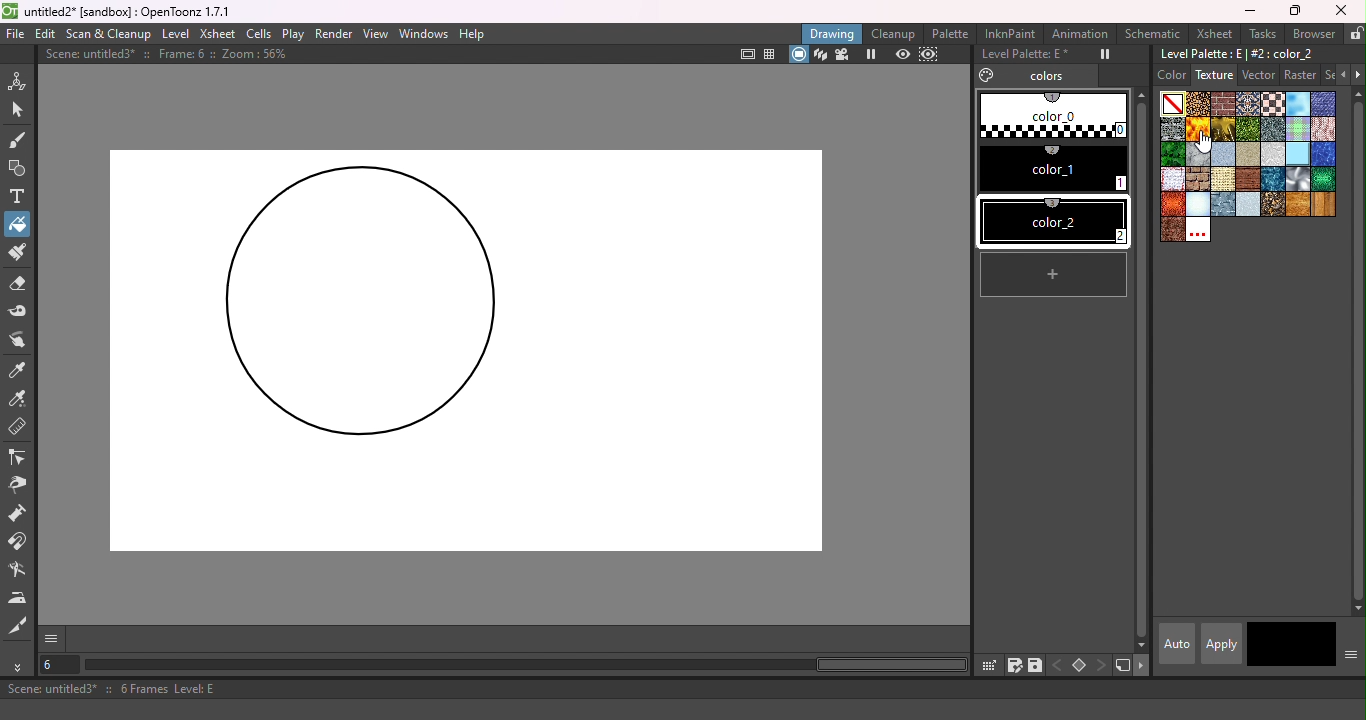  What do you see at coordinates (18, 456) in the screenshot?
I see `Control point editor tool` at bounding box center [18, 456].